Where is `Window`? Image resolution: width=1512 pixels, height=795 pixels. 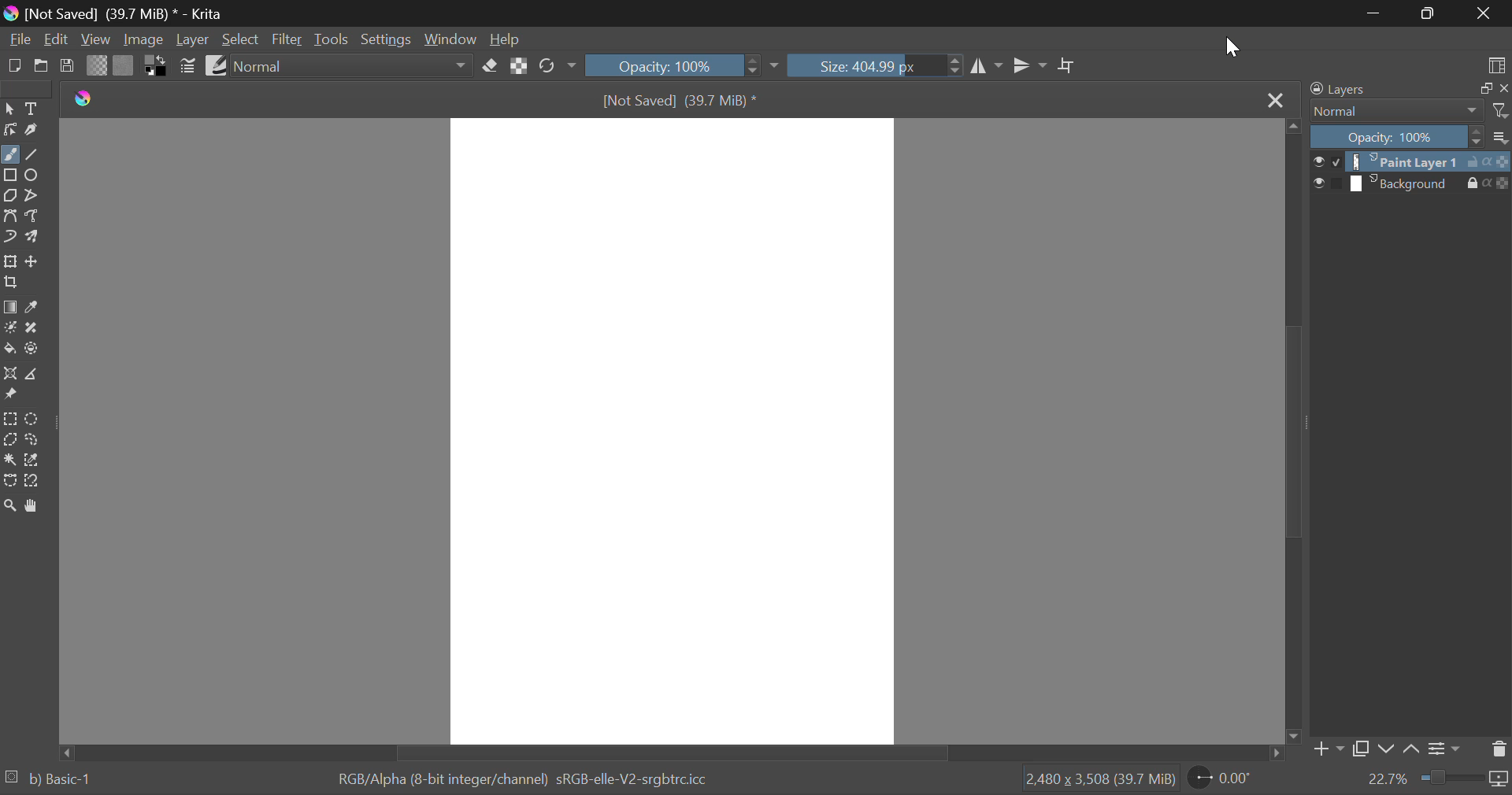
Window is located at coordinates (450, 38).